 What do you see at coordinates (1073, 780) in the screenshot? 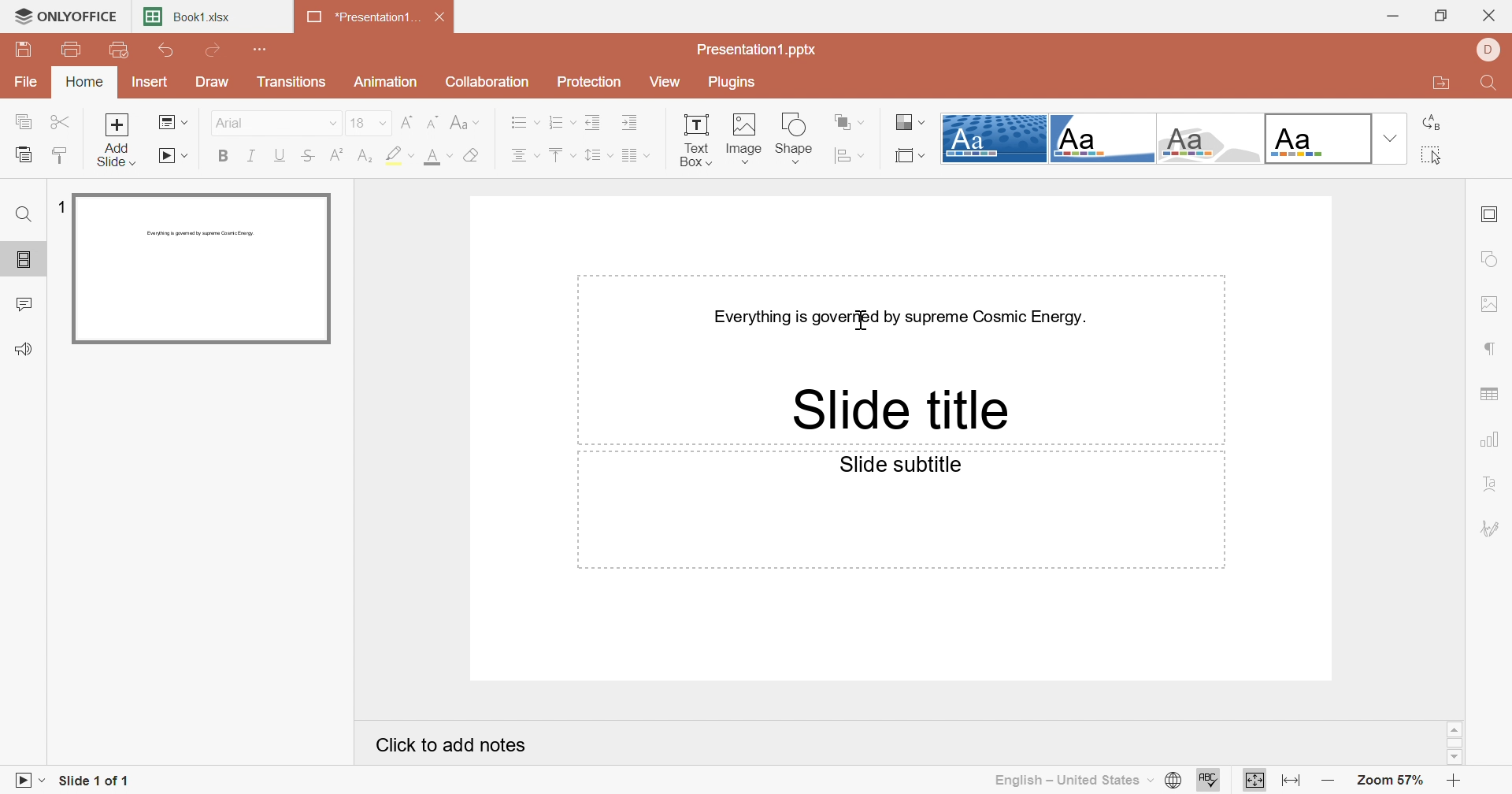
I see `English - United States` at bounding box center [1073, 780].